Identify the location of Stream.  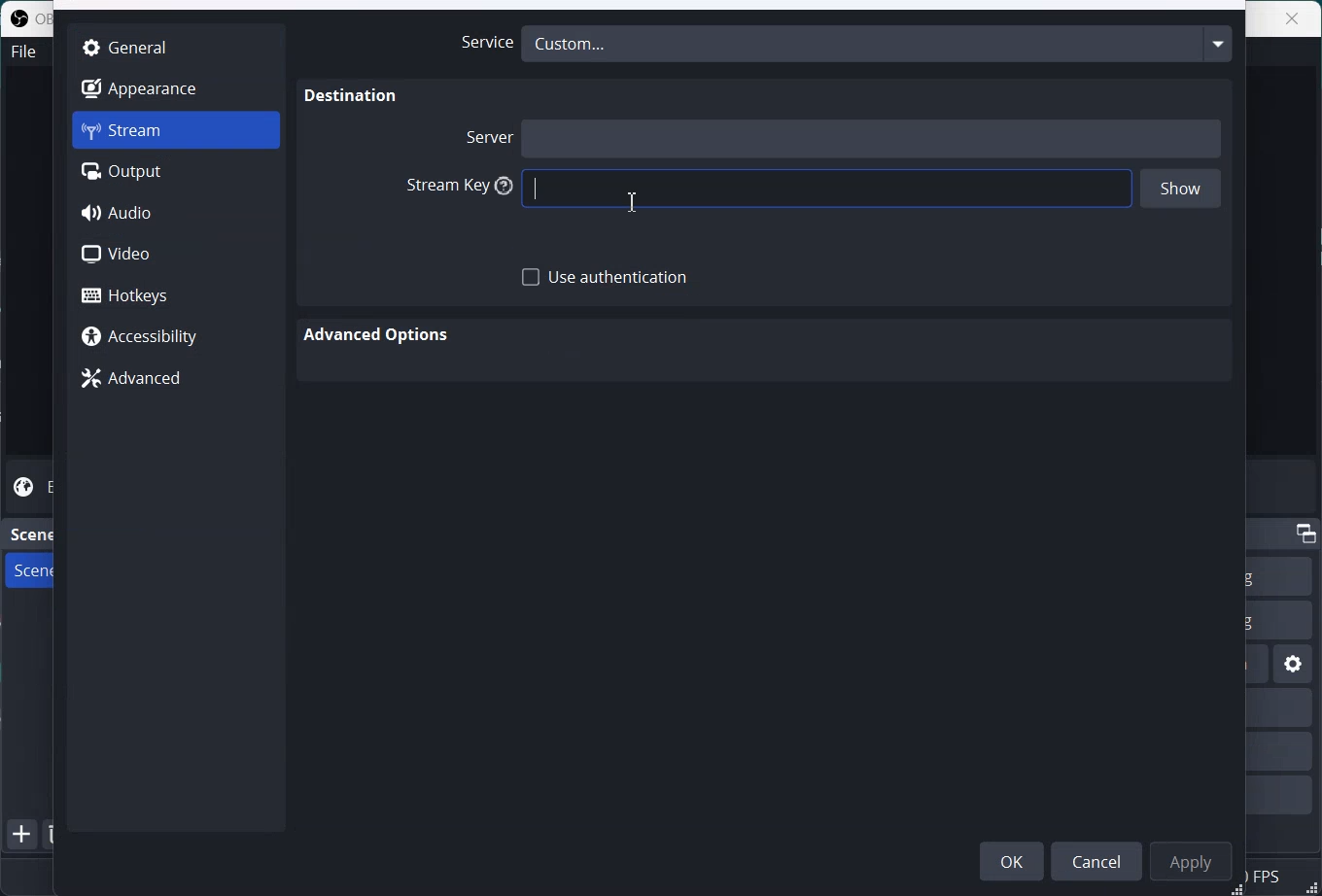
(176, 130).